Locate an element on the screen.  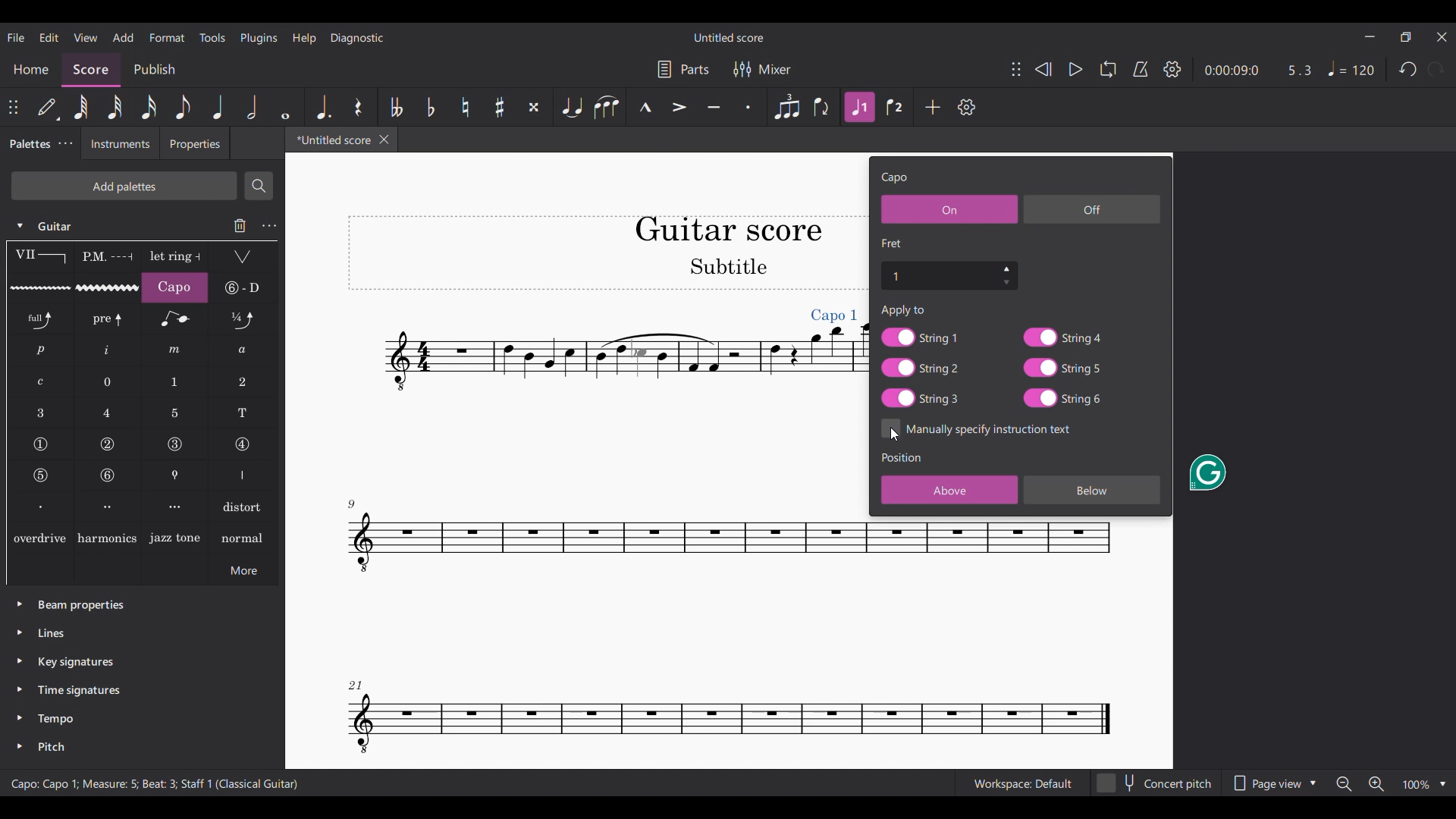
LH guitar fingering T is located at coordinates (243, 413).